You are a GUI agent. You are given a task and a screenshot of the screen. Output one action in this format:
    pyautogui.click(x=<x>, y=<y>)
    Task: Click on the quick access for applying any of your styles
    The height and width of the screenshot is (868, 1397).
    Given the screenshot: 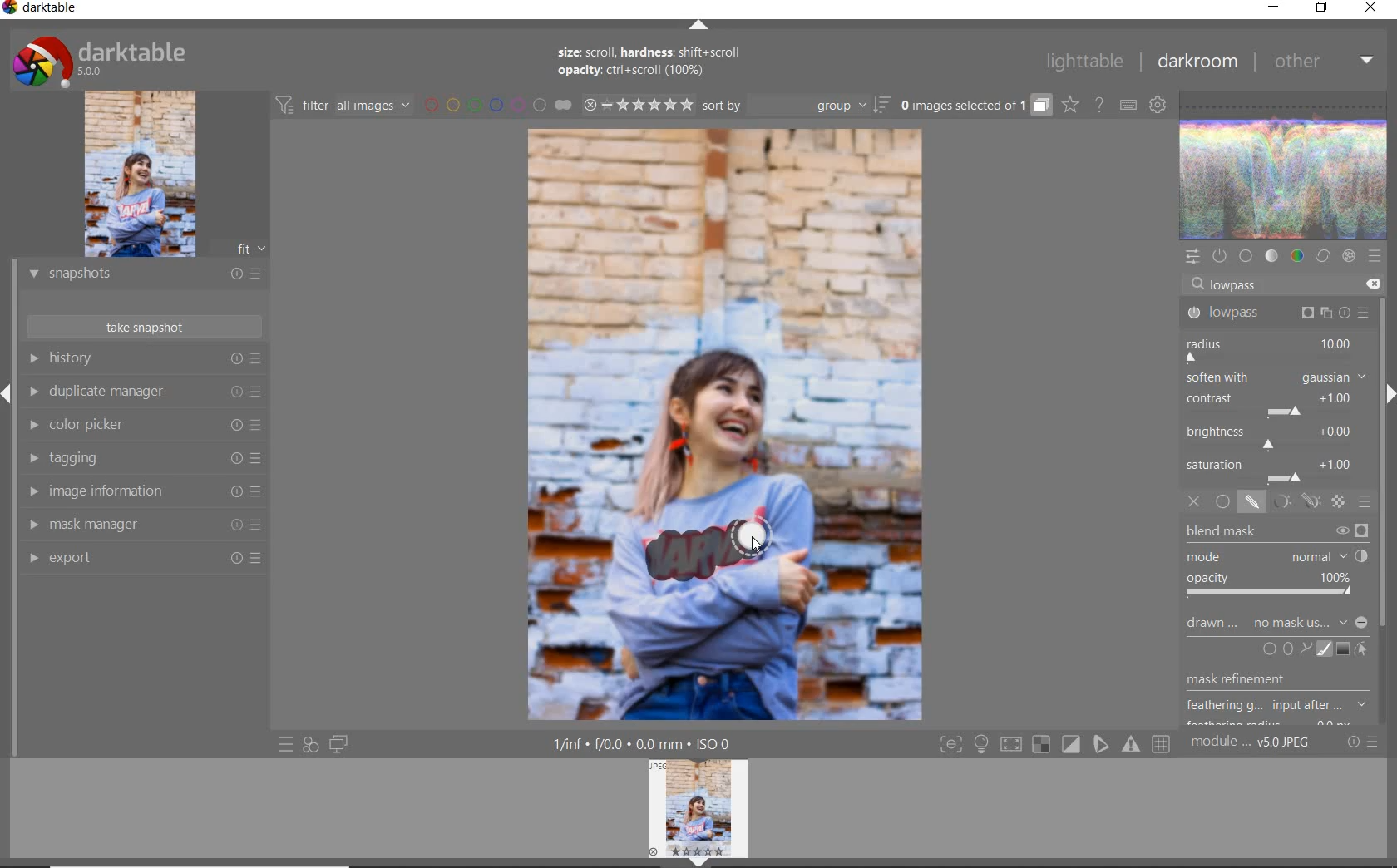 What is the action you would take?
    pyautogui.click(x=311, y=744)
    